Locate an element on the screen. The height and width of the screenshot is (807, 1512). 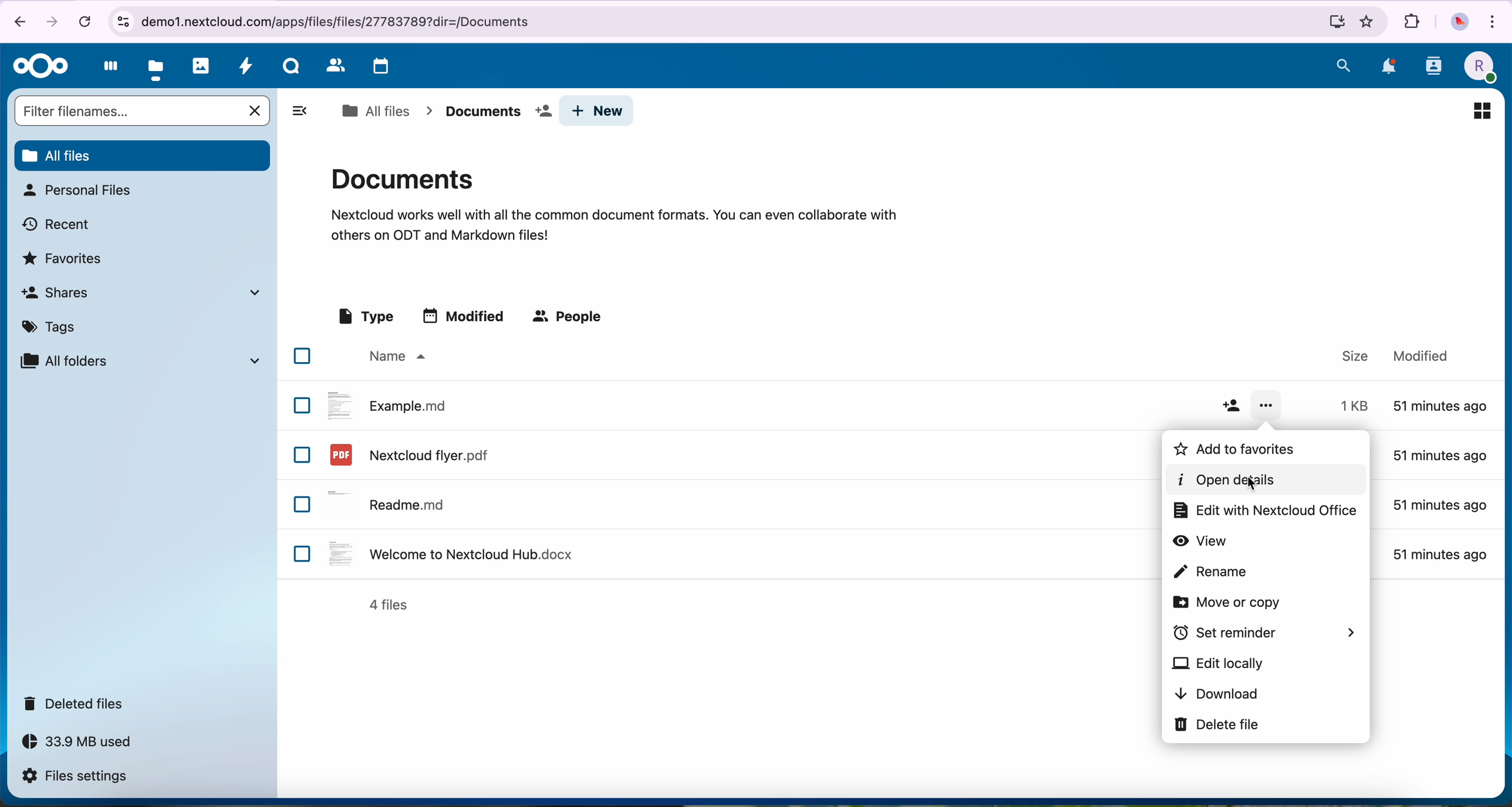
navigate back is located at coordinates (15, 21).